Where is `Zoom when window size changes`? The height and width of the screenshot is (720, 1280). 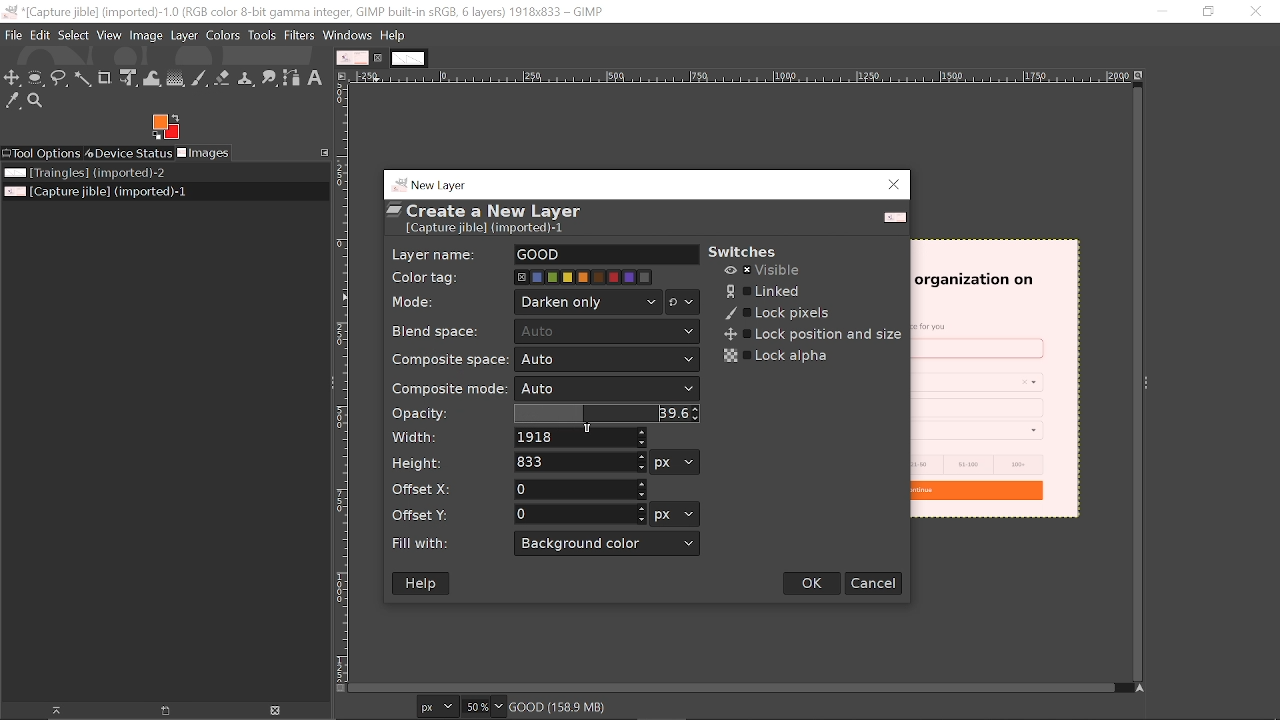
Zoom when window size changes is located at coordinates (1142, 77).